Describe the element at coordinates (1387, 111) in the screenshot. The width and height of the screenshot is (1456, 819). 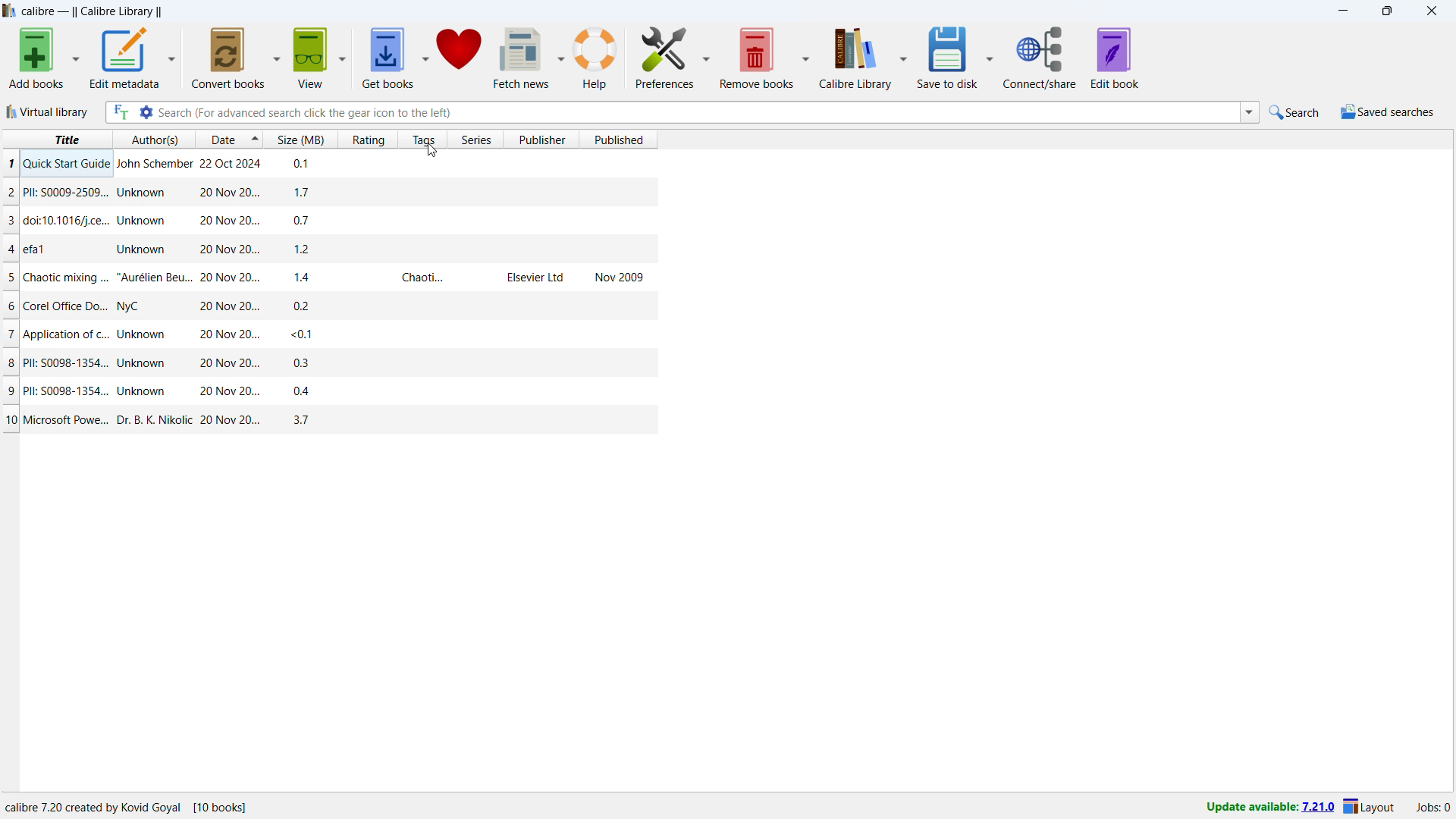
I see `saved searches menu` at that location.